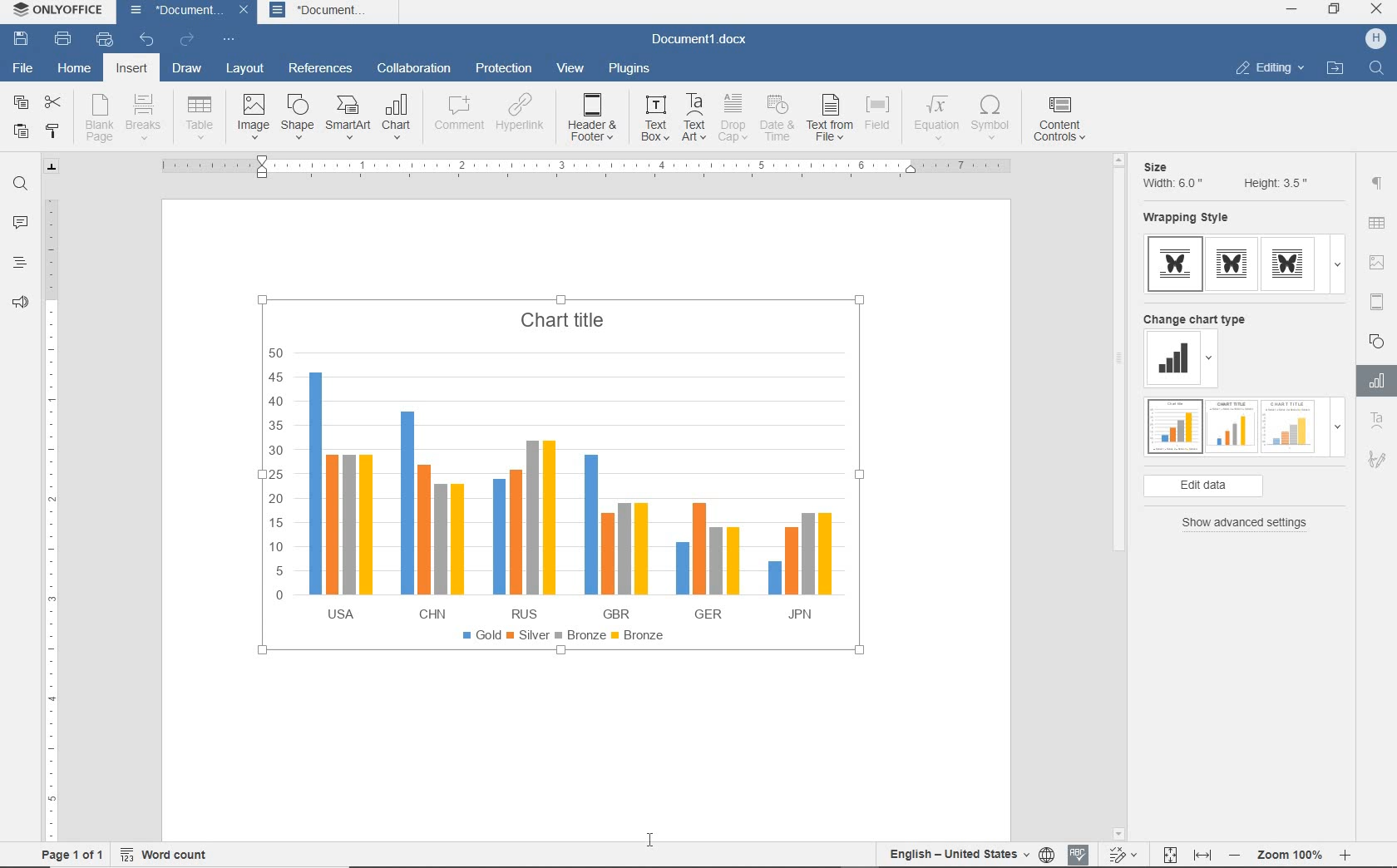 Image resolution: width=1397 pixels, height=868 pixels. What do you see at coordinates (1229, 425) in the screenshot?
I see `type 2 ` at bounding box center [1229, 425].